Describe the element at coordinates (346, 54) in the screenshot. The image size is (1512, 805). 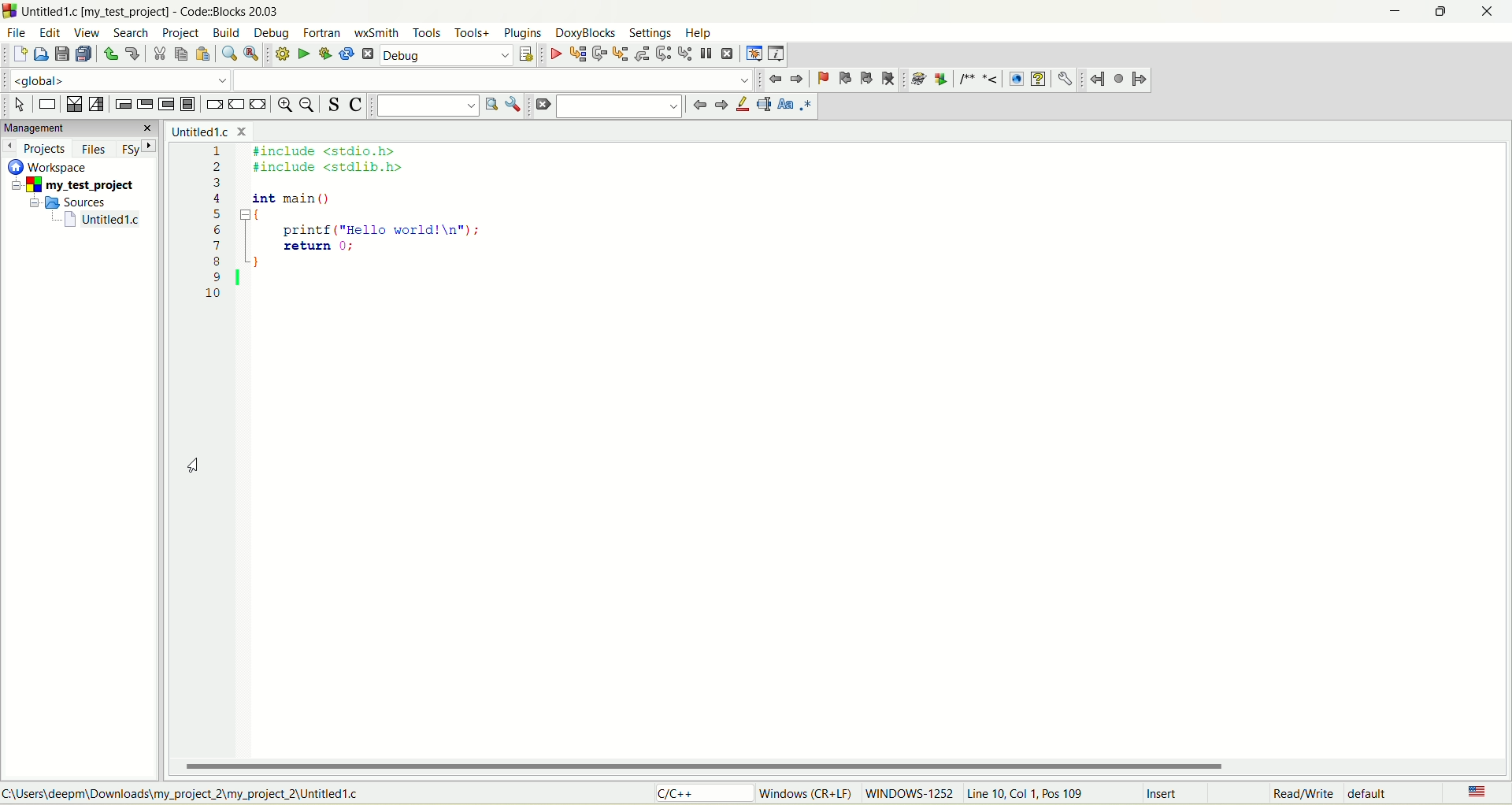
I see `rebuild` at that location.